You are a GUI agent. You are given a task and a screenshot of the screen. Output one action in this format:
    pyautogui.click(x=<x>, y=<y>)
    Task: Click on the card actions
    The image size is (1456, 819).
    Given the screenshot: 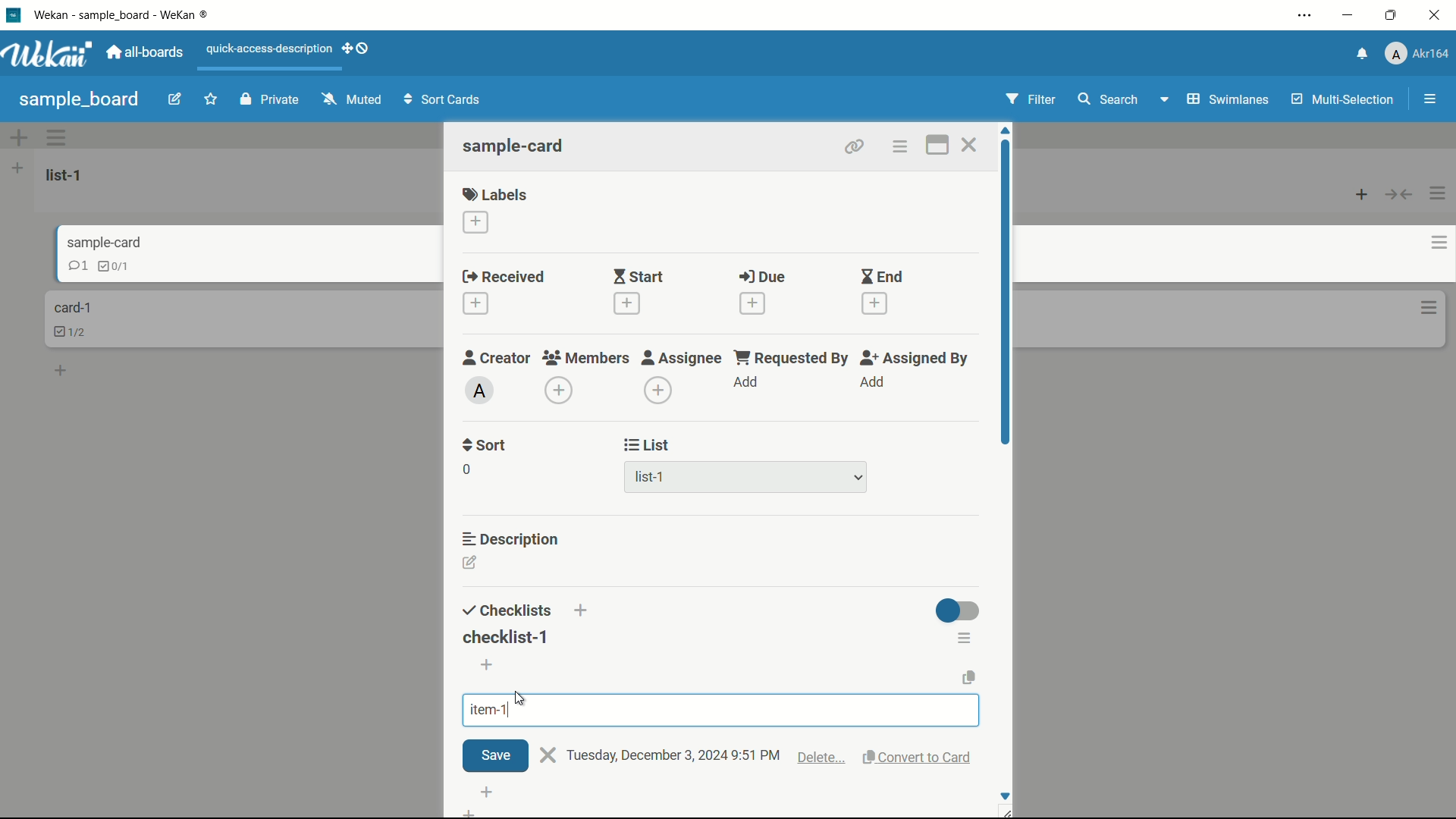 What is the action you would take?
    pyautogui.click(x=1428, y=243)
    